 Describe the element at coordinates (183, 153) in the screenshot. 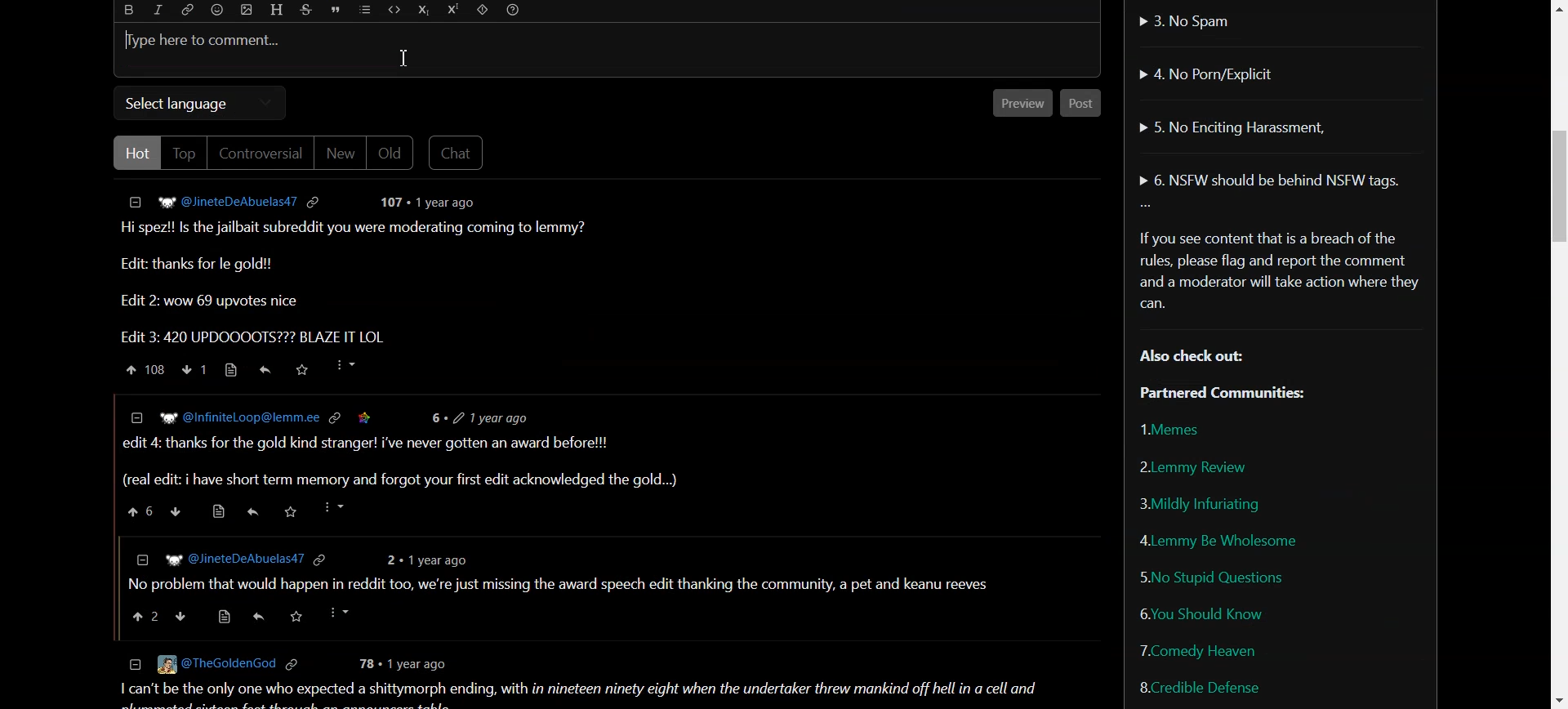

I see `Top` at that location.